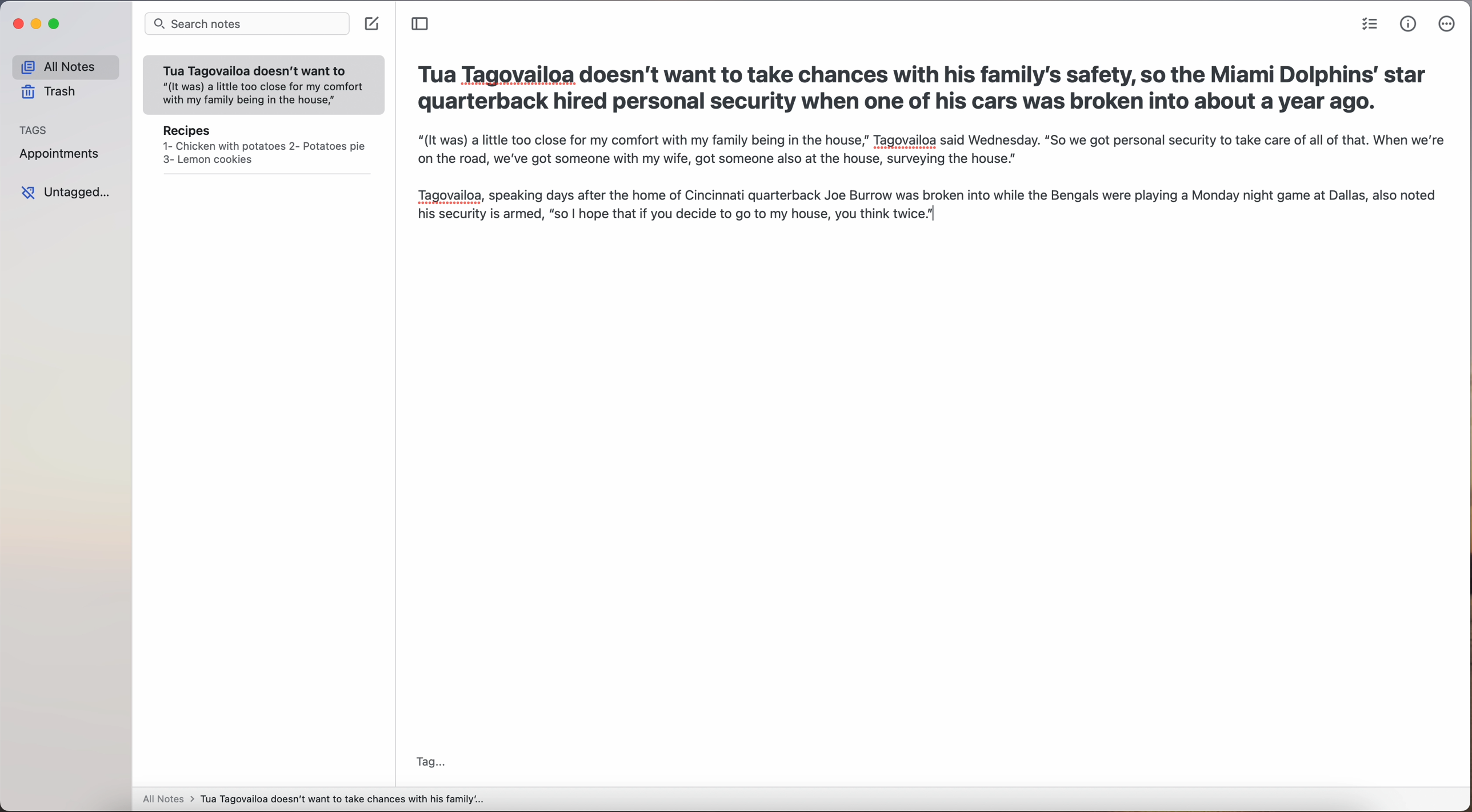  What do you see at coordinates (59, 155) in the screenshot?
I see `appointments` at bounding box center [59, 155].